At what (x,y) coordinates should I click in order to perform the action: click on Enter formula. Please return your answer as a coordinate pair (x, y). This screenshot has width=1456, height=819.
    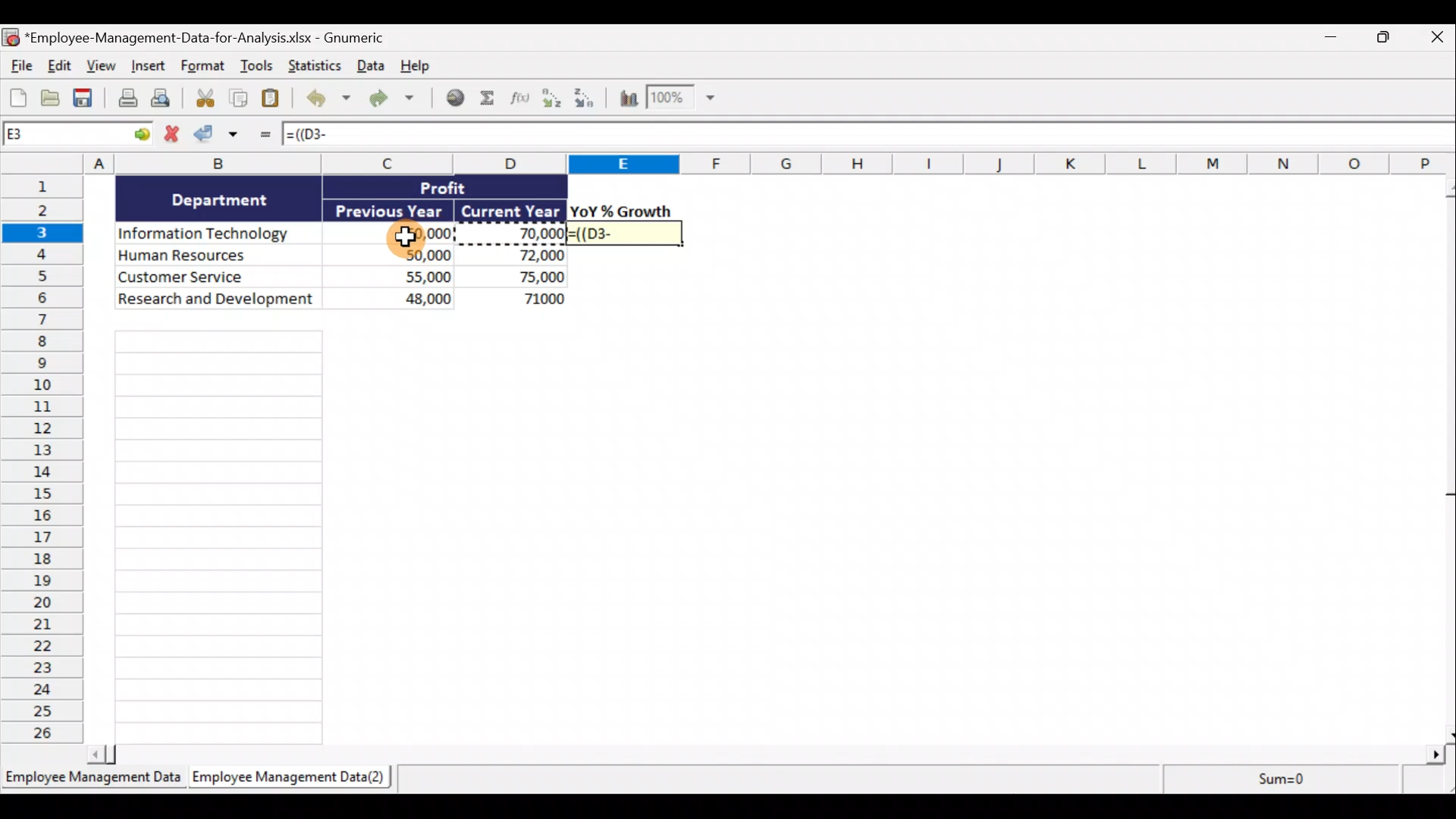
    Looking at the image, I should click on (263, 137).